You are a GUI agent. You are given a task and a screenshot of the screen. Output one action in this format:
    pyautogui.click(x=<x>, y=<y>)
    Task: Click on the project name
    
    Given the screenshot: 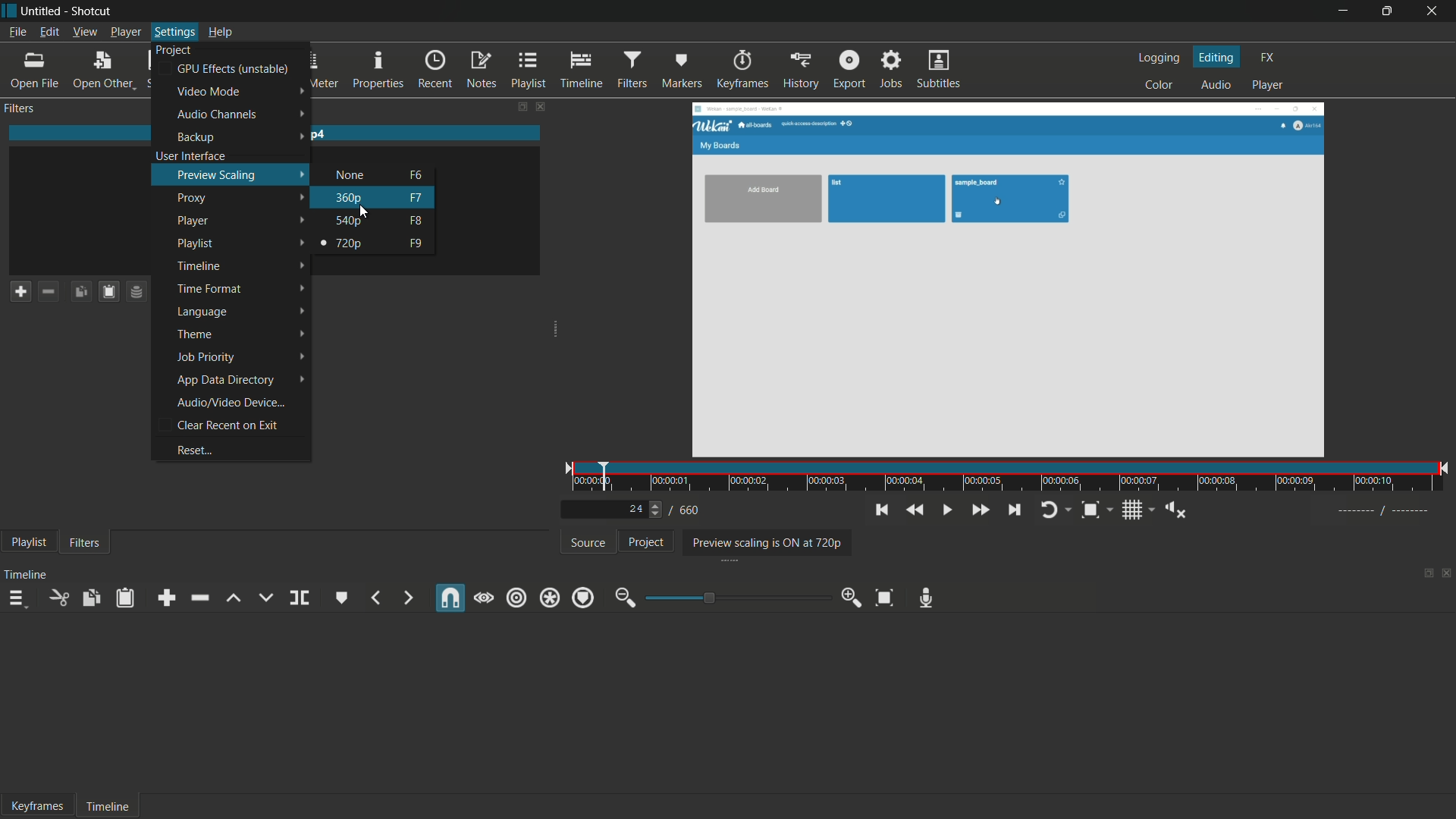 What is the action you would take?
    pyautogui.click(x=43, y=11)
    